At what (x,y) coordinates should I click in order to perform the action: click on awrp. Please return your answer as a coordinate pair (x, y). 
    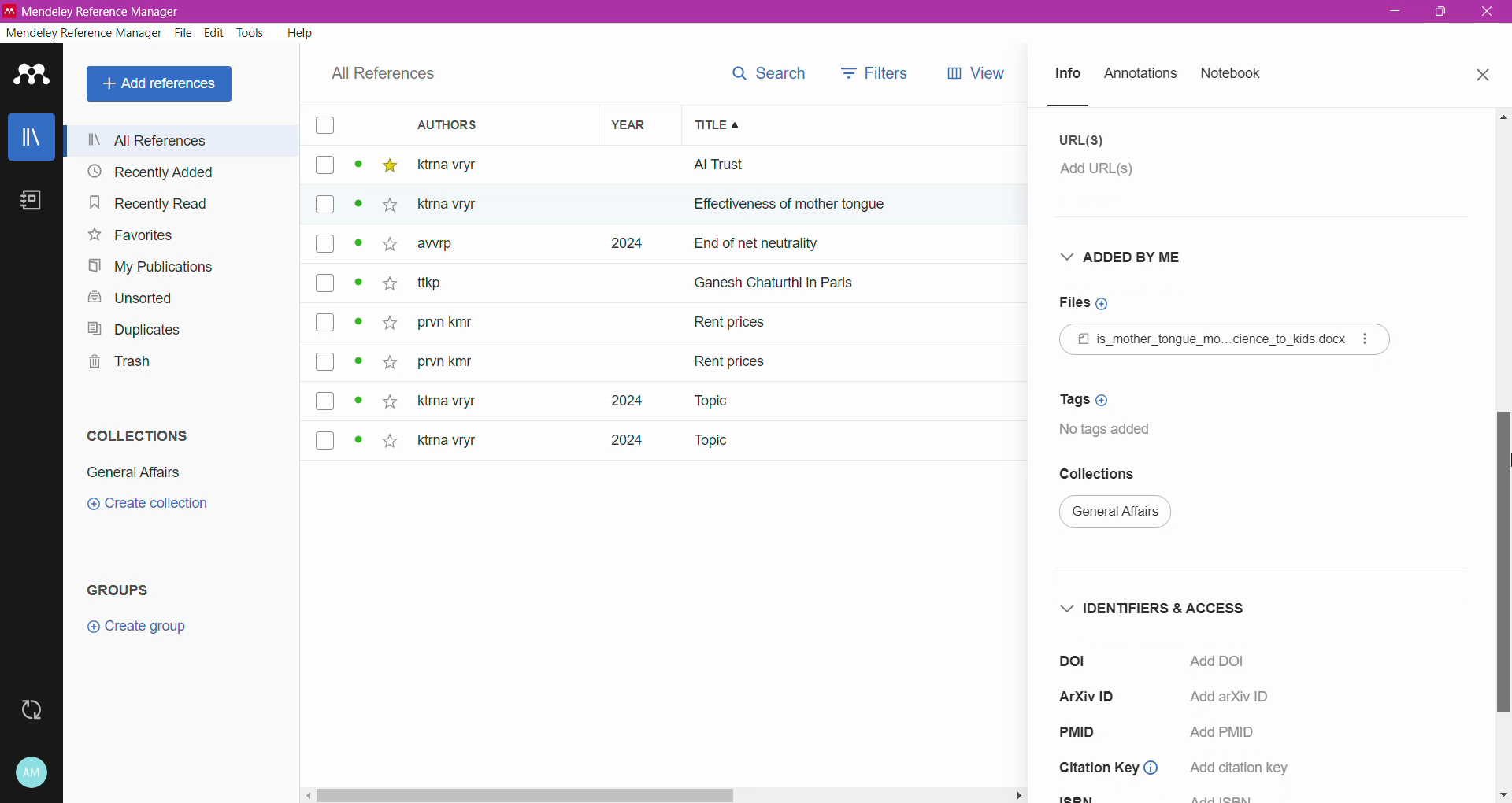
    Looking at the image, I should click on (447, 249).